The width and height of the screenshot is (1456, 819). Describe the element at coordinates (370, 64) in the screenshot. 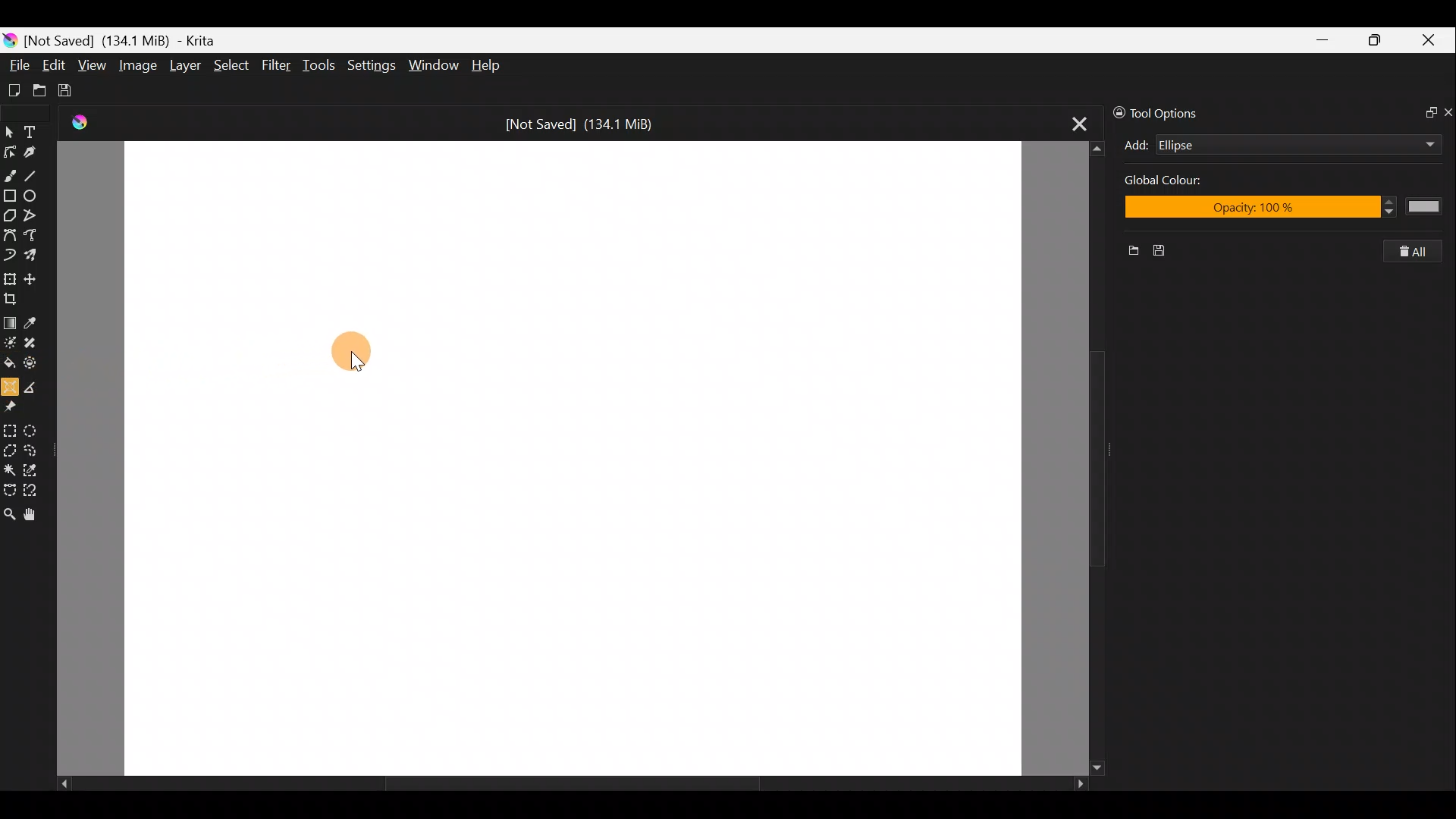

I see `Settings` at that location.